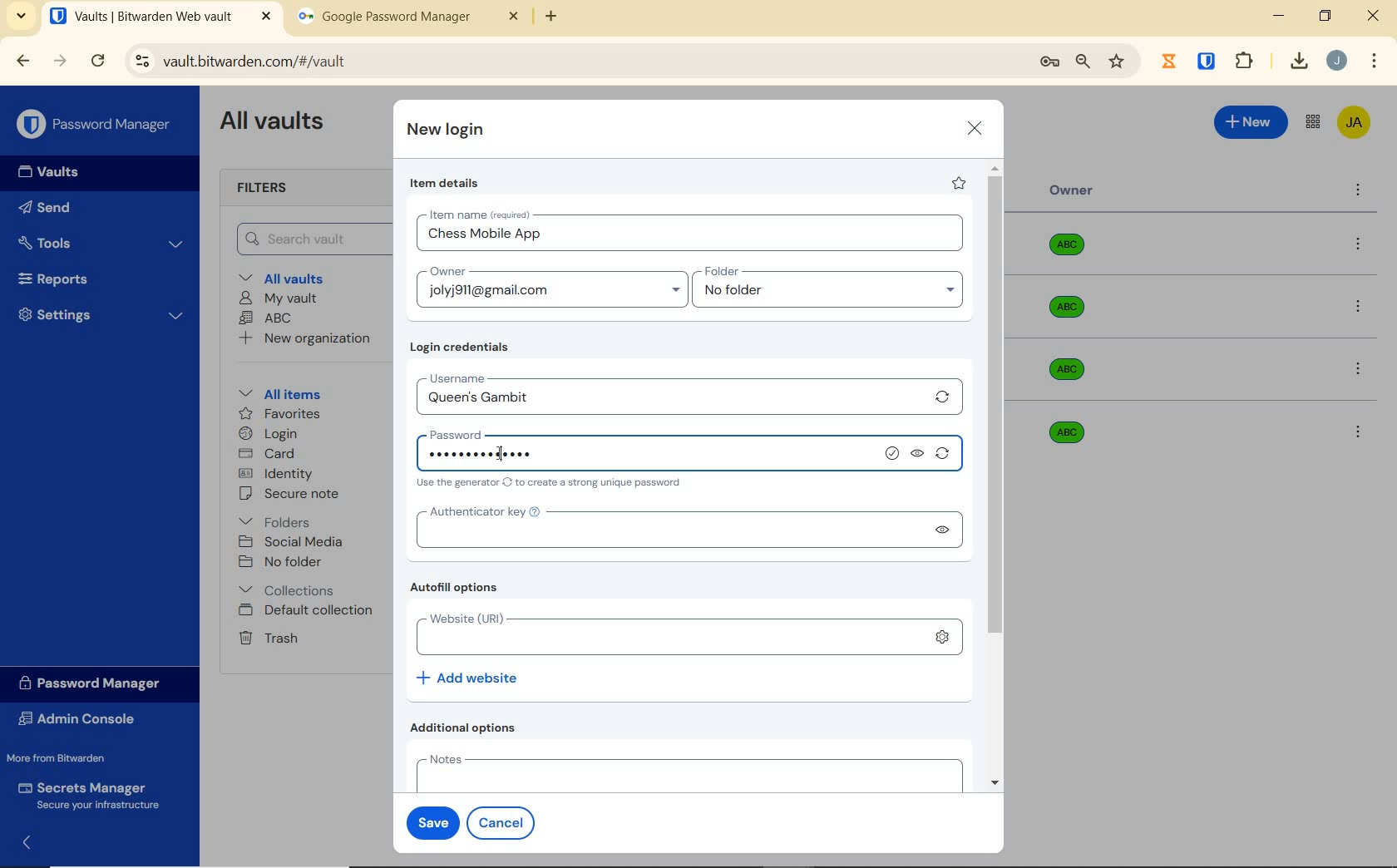 This screenshot has height=868, width=1397. What do you see at coordinates (1361, 308) in the screenshot?
I see `option` at bounding box center [1361, 308].